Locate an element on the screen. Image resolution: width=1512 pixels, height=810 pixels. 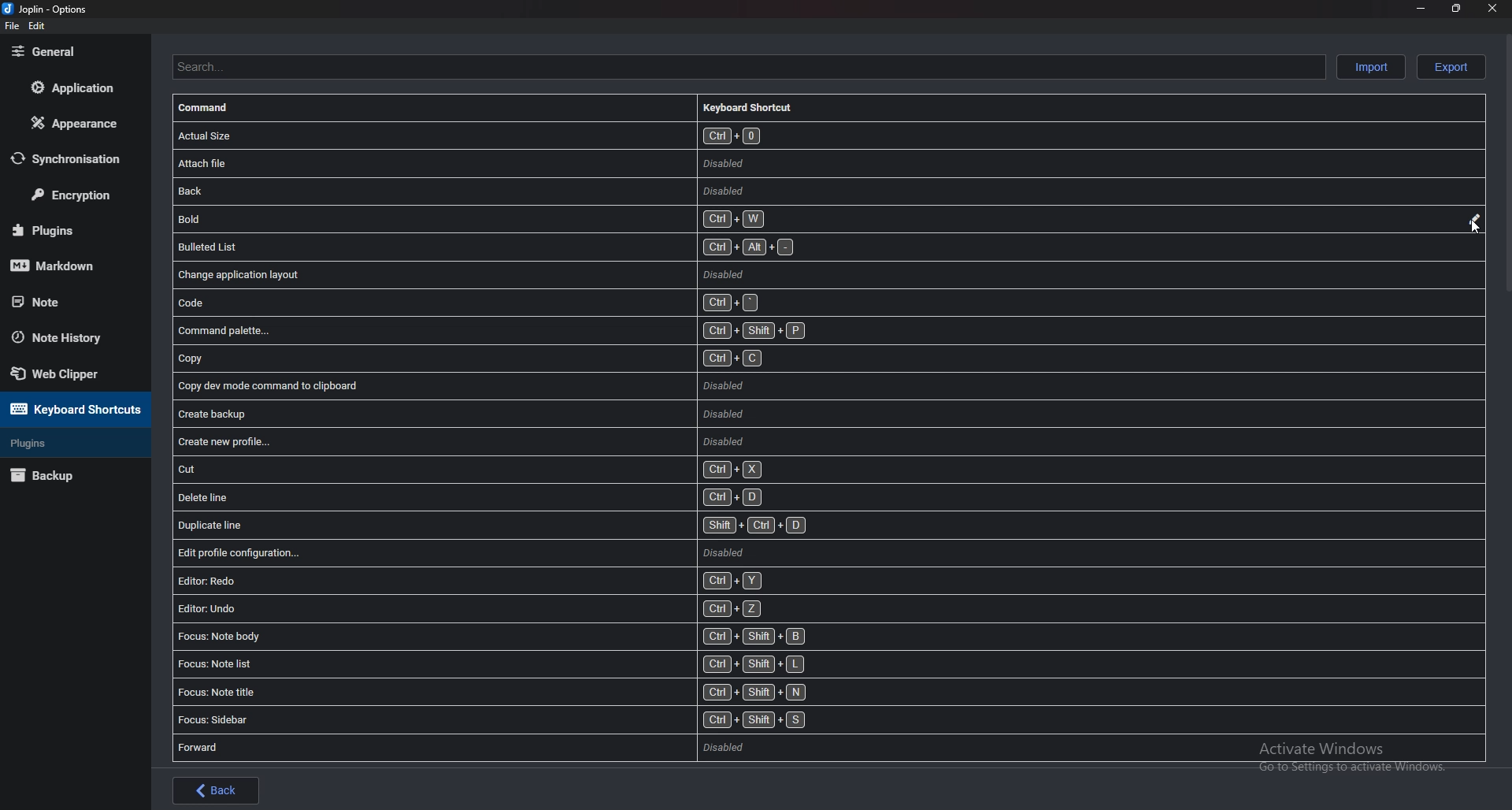
cut is located at coordinates (472, 470).